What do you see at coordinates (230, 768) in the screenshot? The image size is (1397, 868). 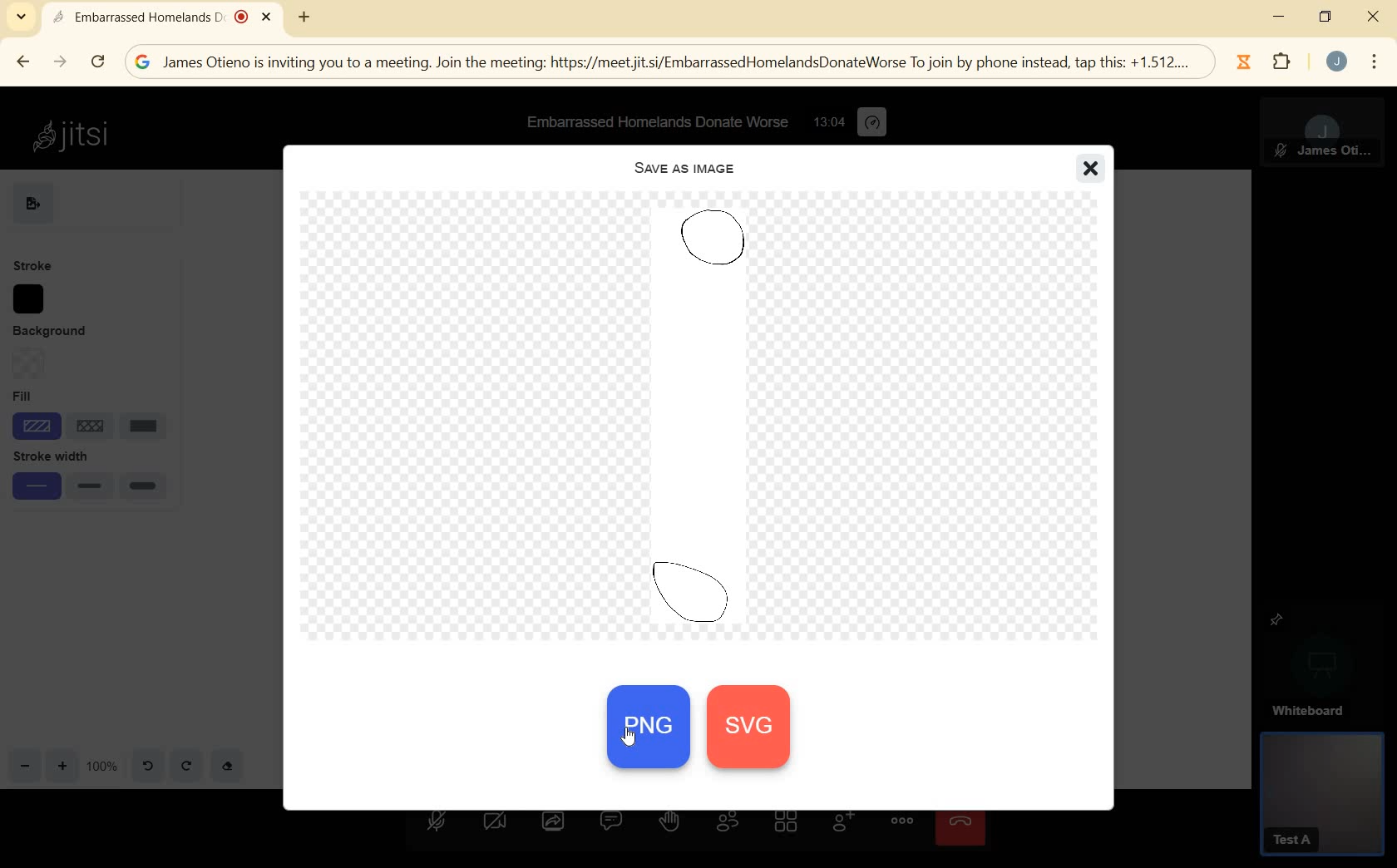 I see `eraser` at bounding box center [230, 768].